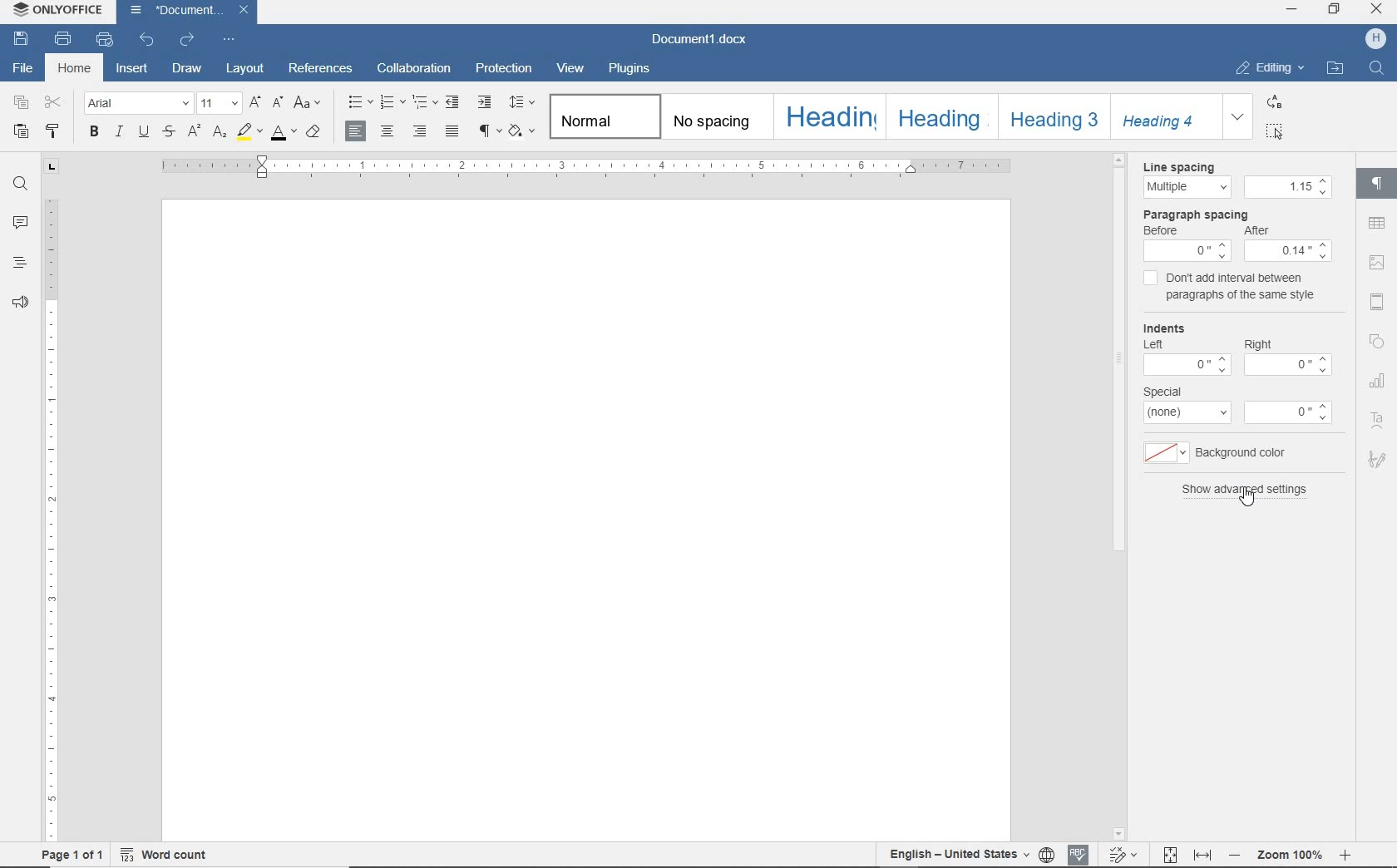 This screenshot has width=1397, height=868. I want to click on don't add interval between paragraphs of the same style, so click(1230, 289).